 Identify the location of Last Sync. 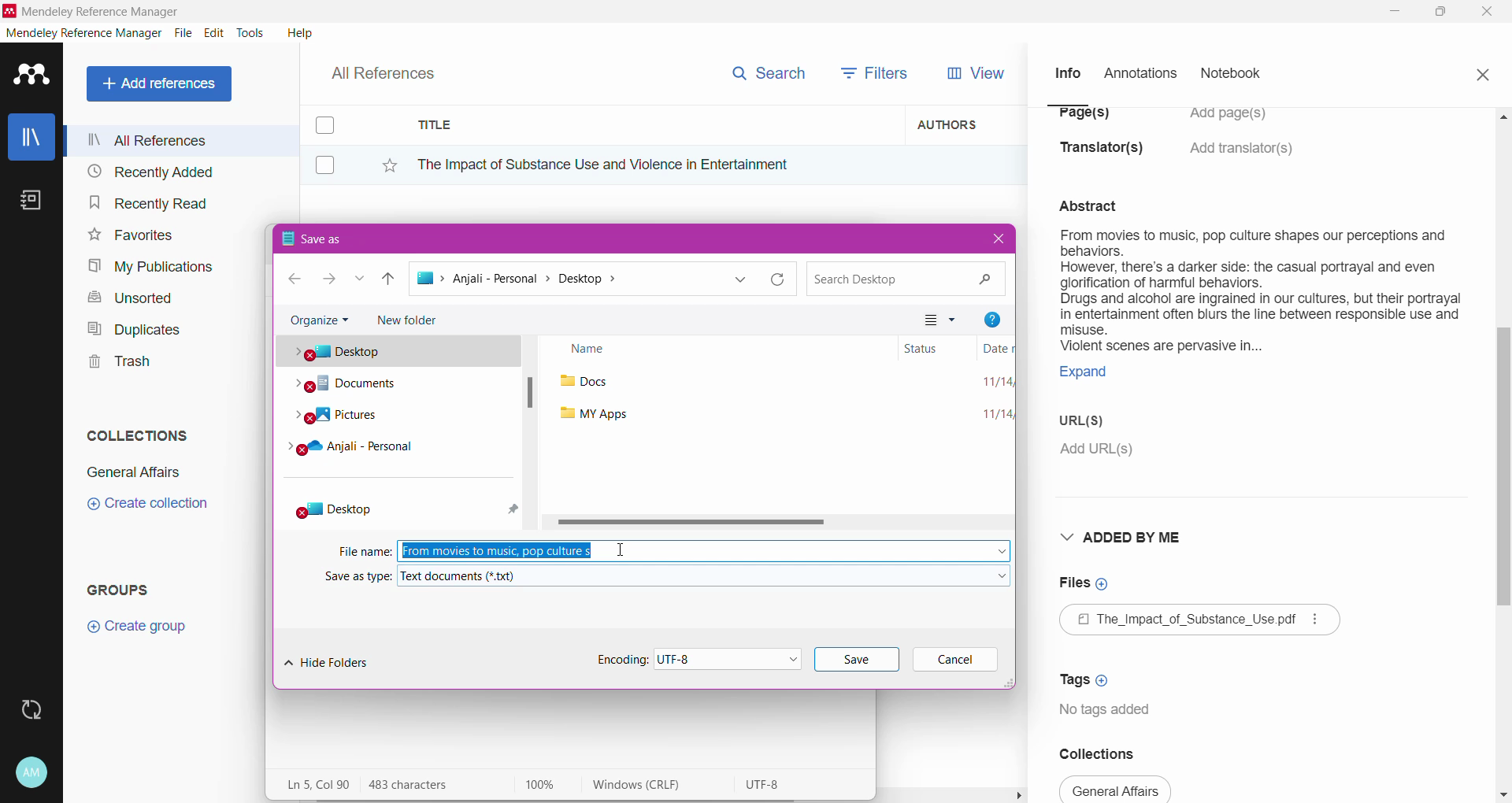
(38, 708).